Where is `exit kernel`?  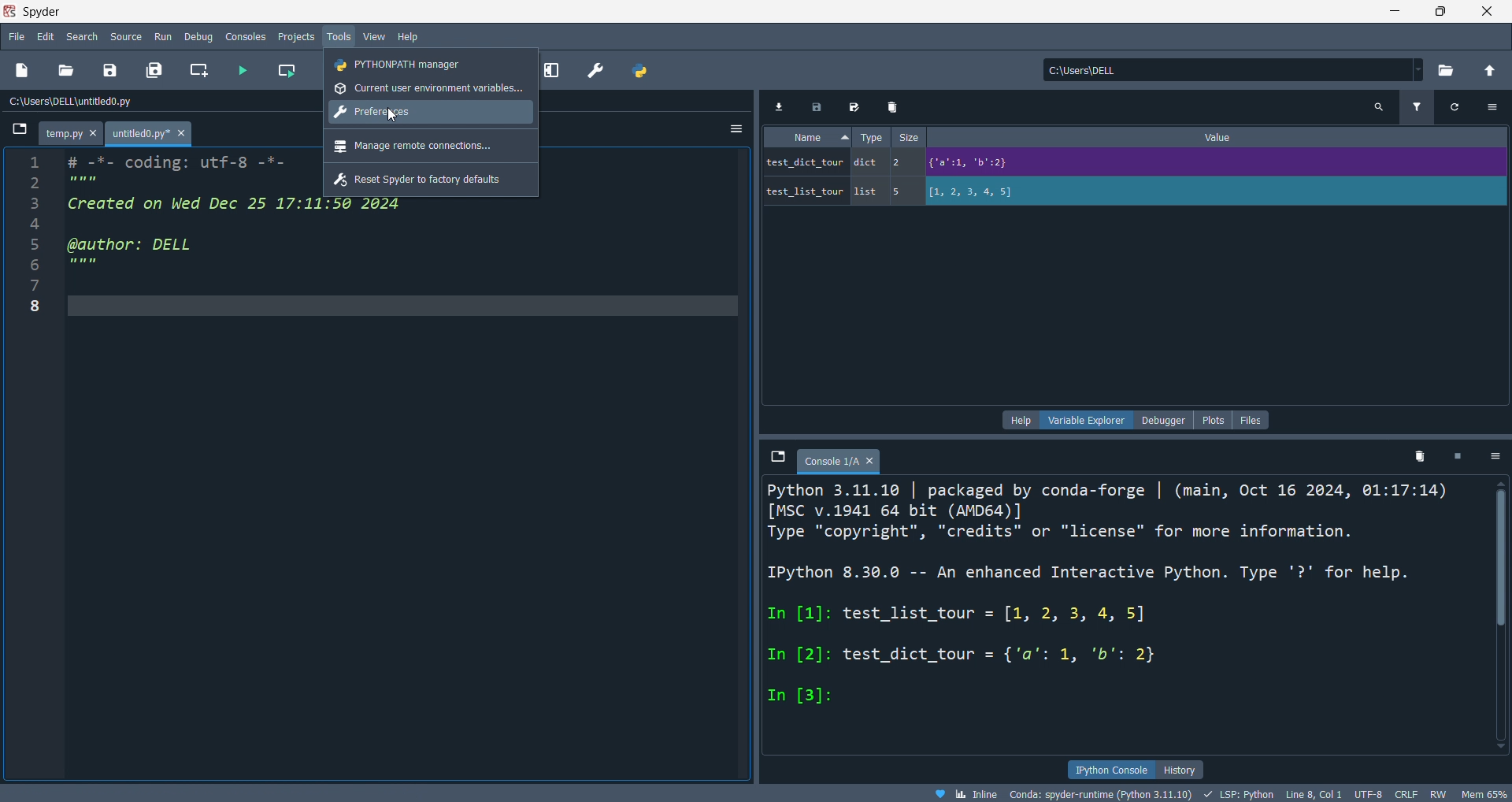
exit kernel is located at coordinates (1459, 456).